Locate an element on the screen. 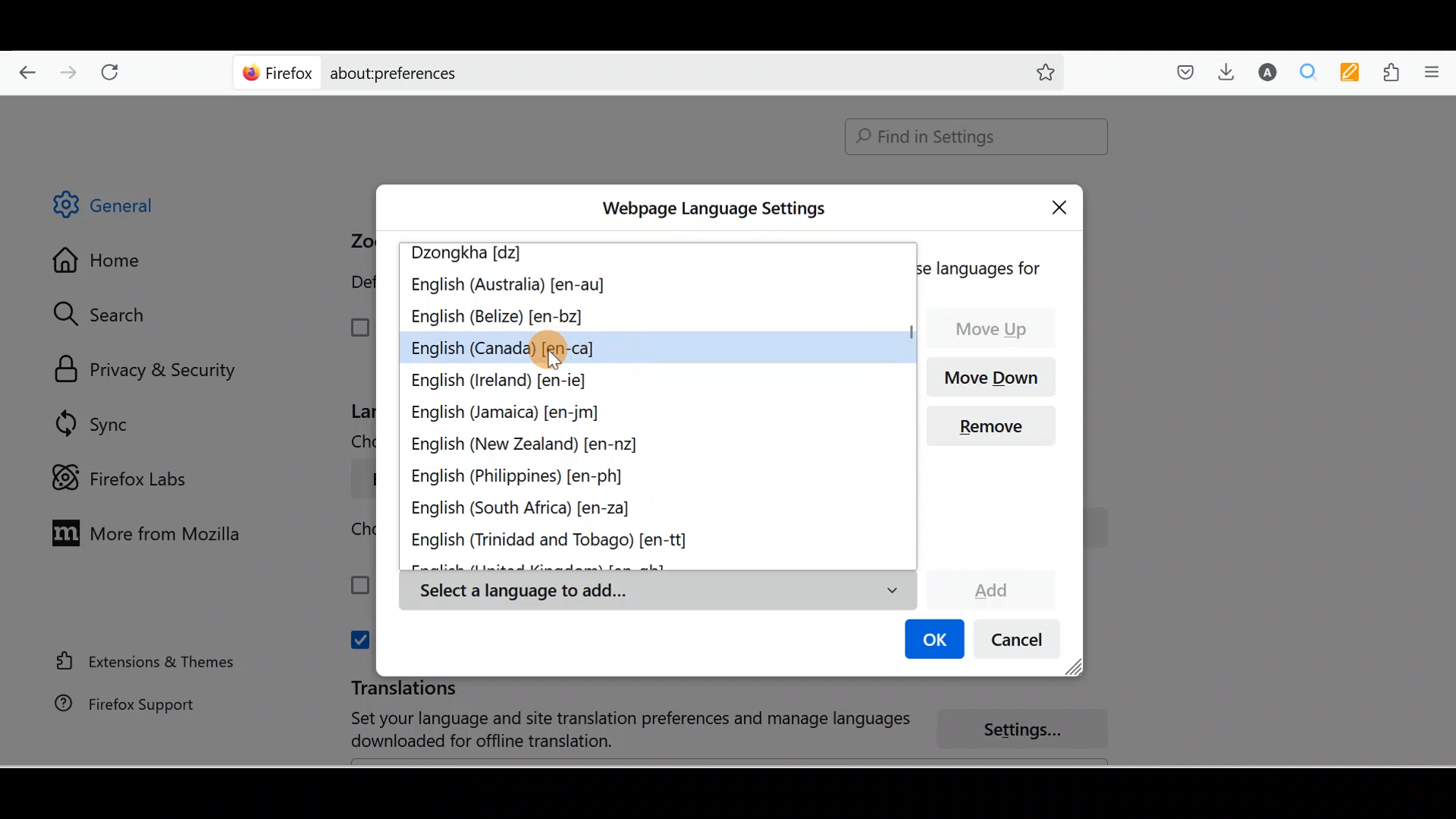 The width and height of the screenshot is (1456, 819). Go forward back one page is located at coordinates (71, 71).